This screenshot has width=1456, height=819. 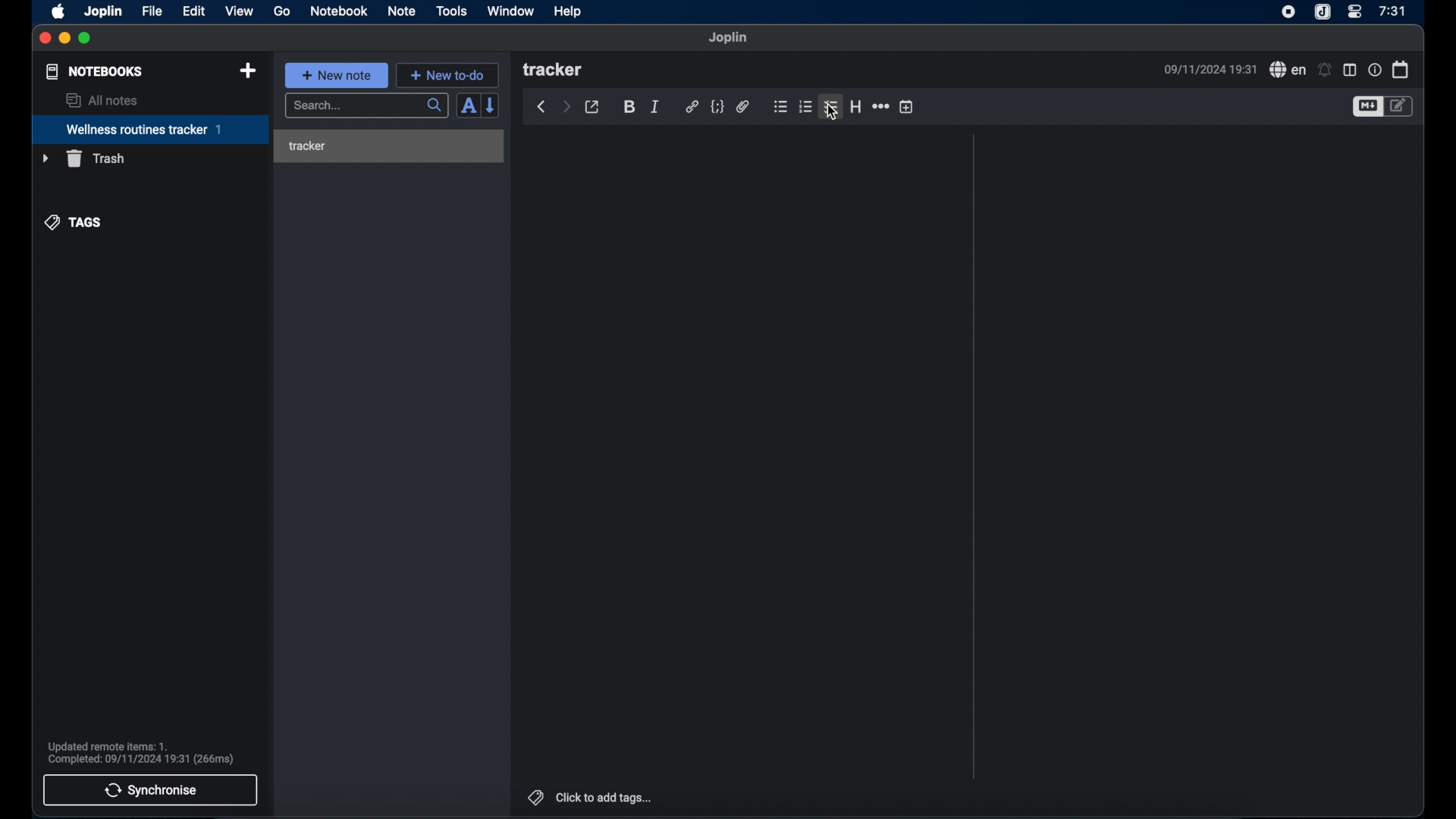 I want to click on forward, so click(x=566, y=106).